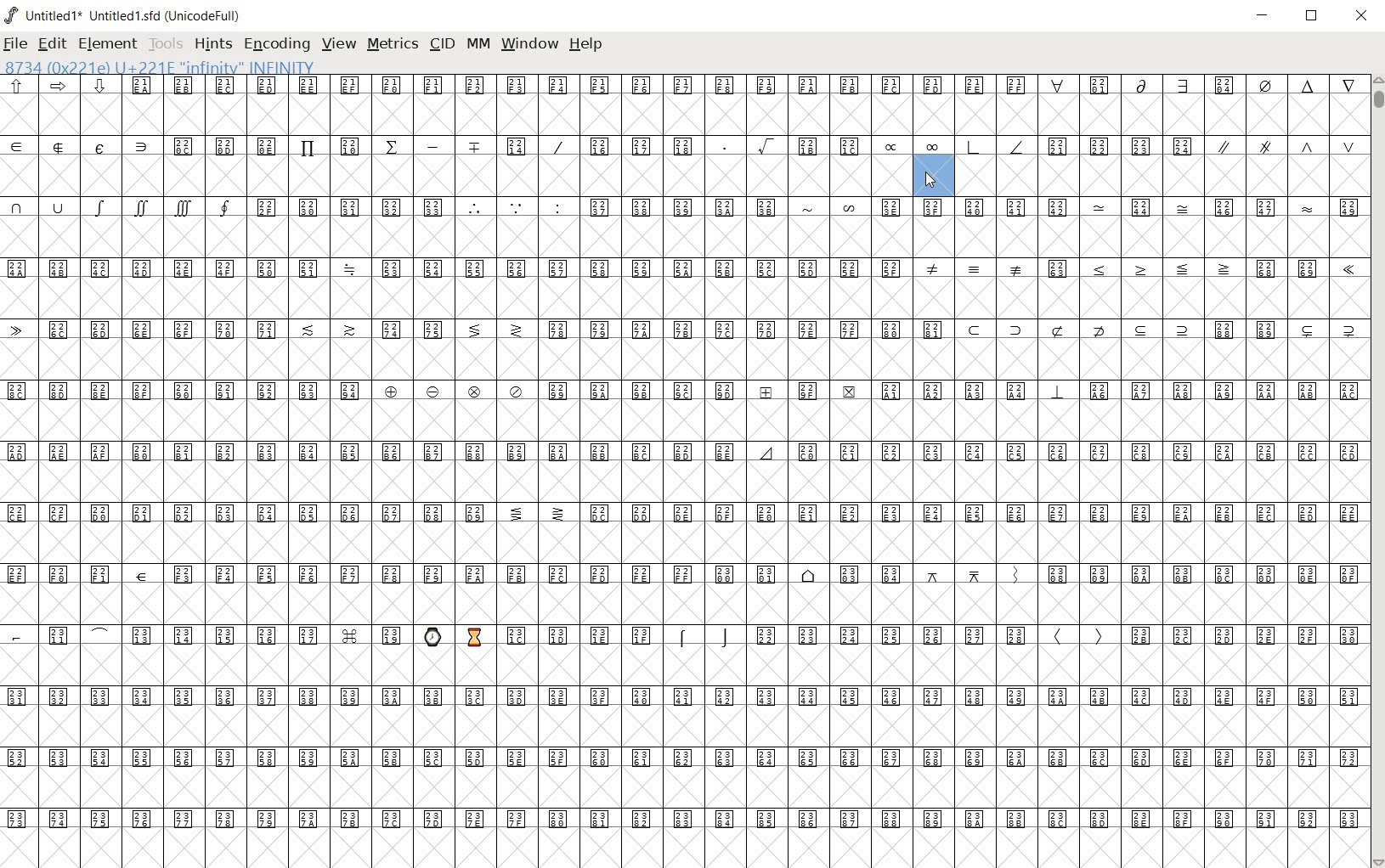  Describe the element at coordinates (516, 206) in the screenshot. I see `symbols` at that location.